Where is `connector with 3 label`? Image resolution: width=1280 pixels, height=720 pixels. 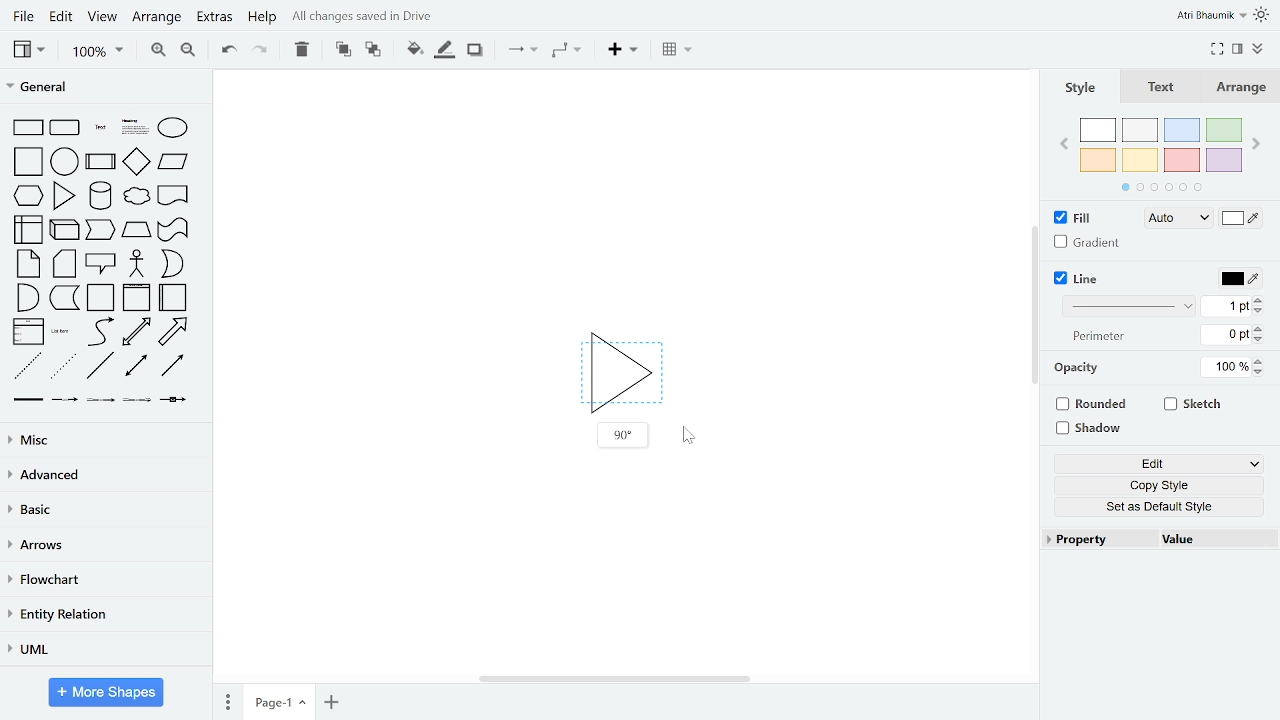
connector with 3 label is located at coordinates (135, 402).